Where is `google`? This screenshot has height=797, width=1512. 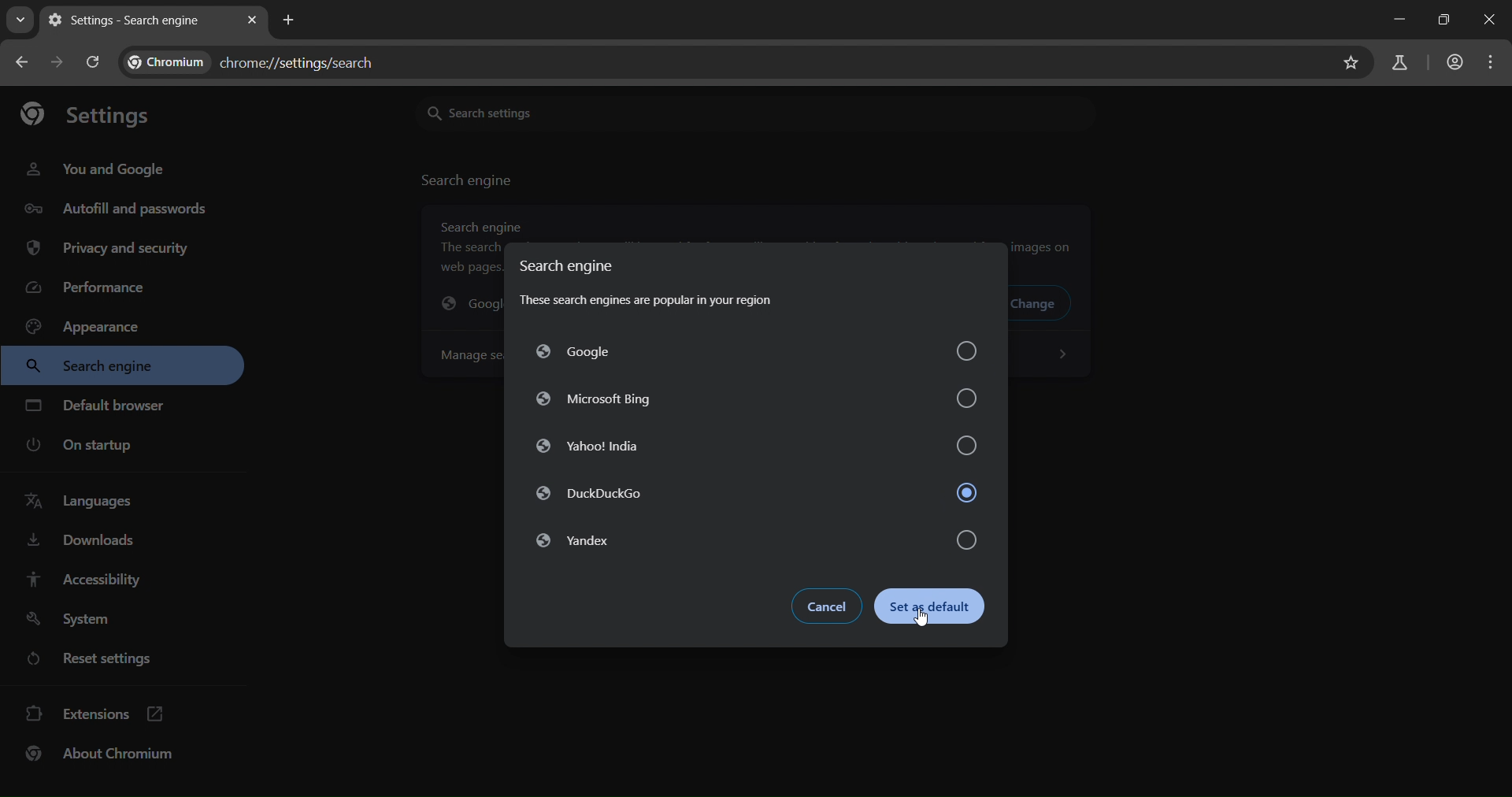 google is located at coordinates (754, 354).